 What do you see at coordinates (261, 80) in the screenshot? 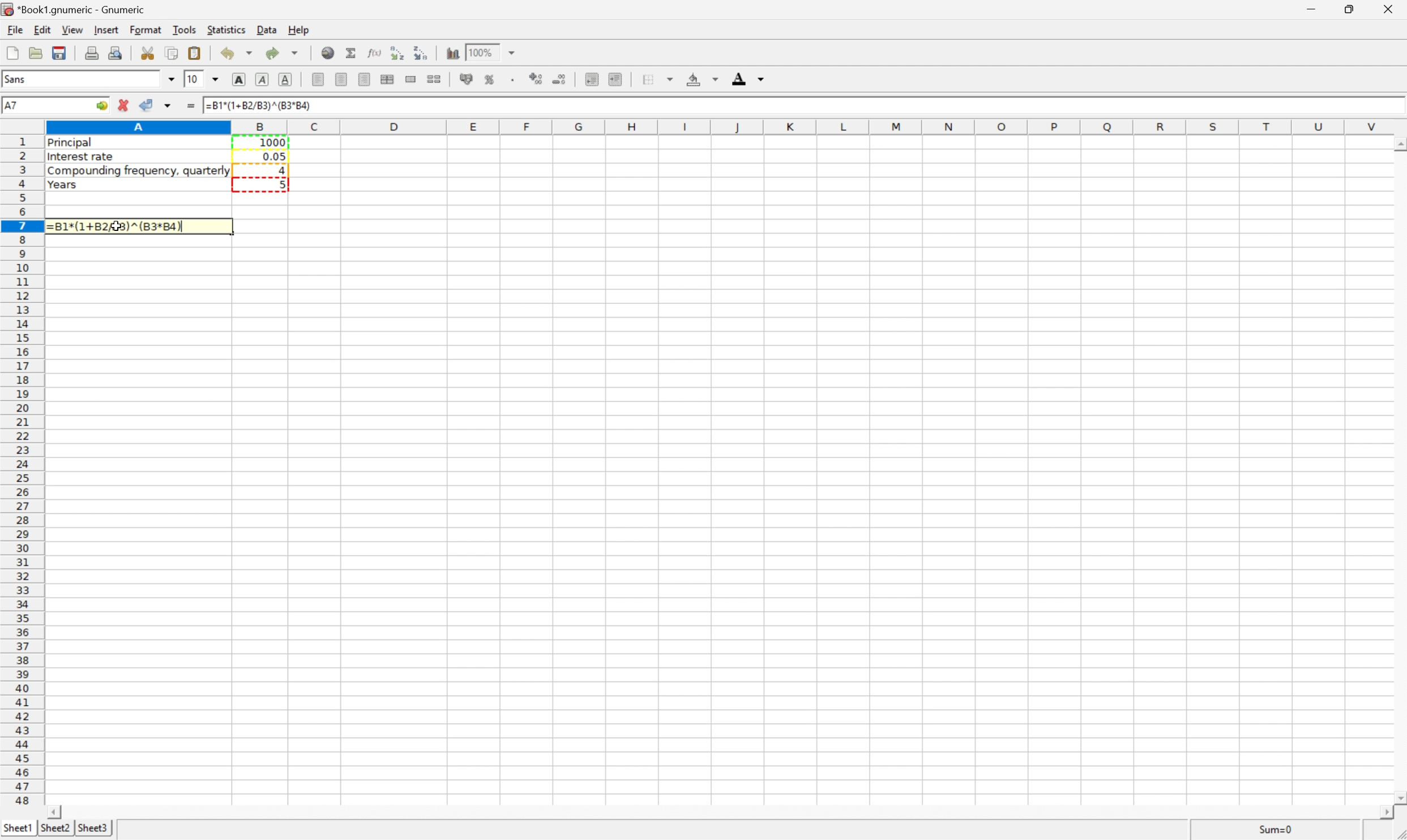
I see `italic` at bounding box center [261, 80].